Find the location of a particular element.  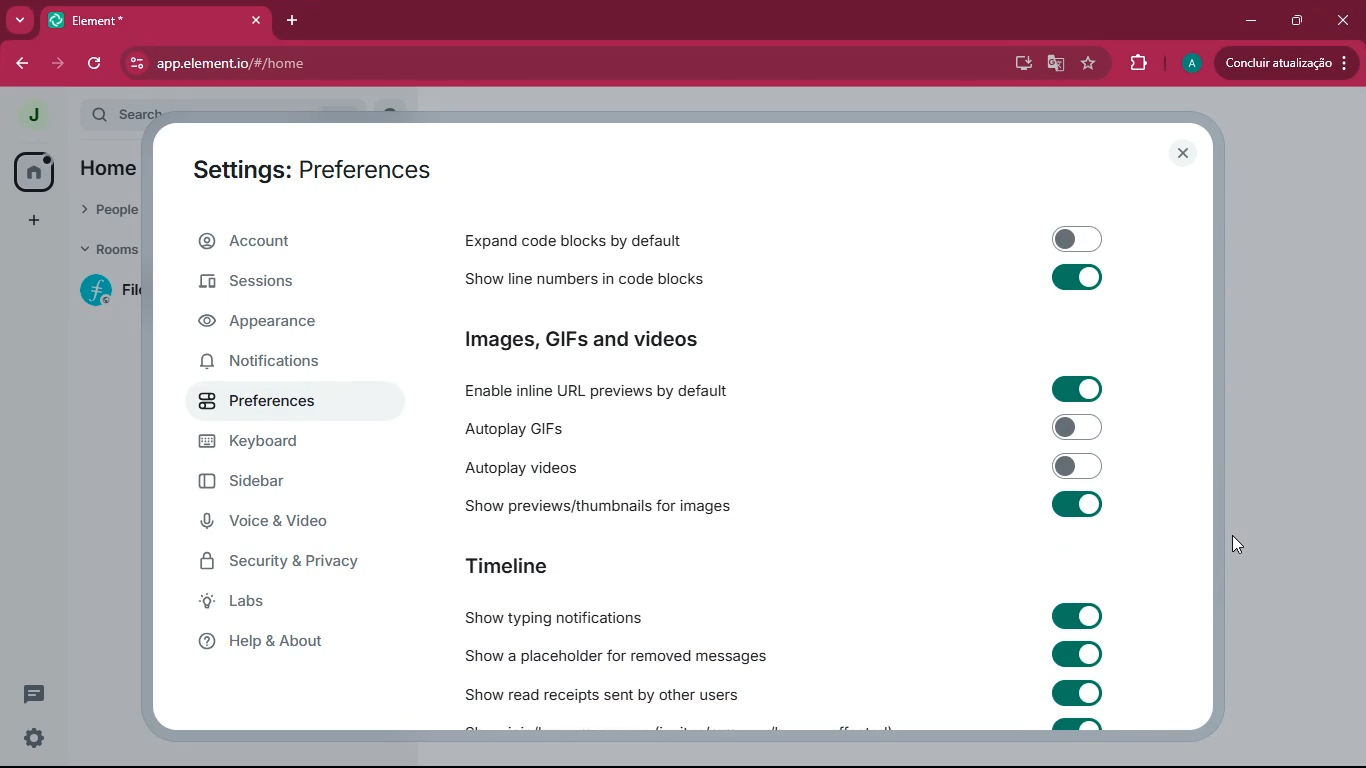

close tab is located at coordinates (256, 20).